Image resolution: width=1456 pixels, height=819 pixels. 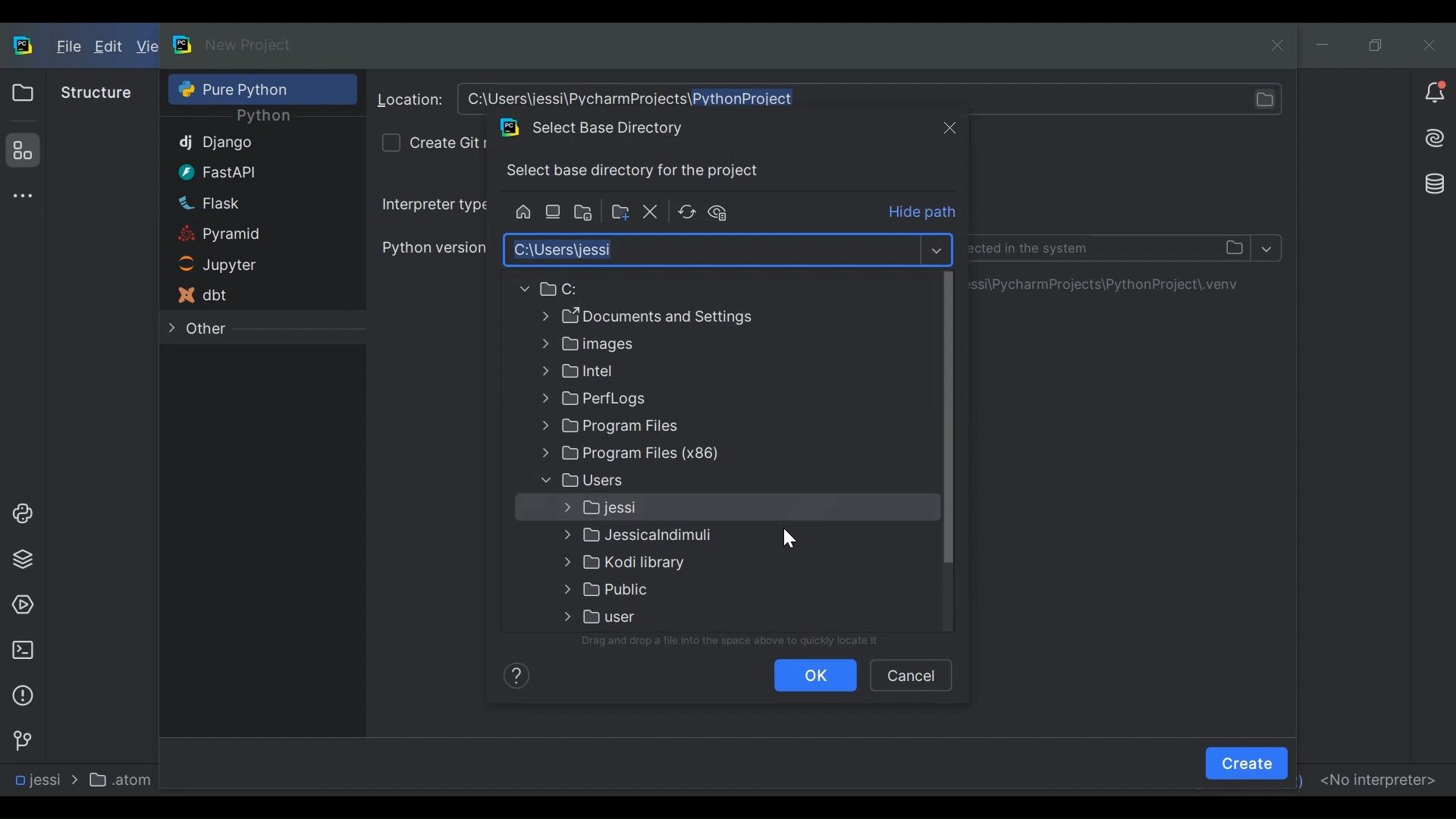 I want to click on Cursor, so click(x=788, y=537).